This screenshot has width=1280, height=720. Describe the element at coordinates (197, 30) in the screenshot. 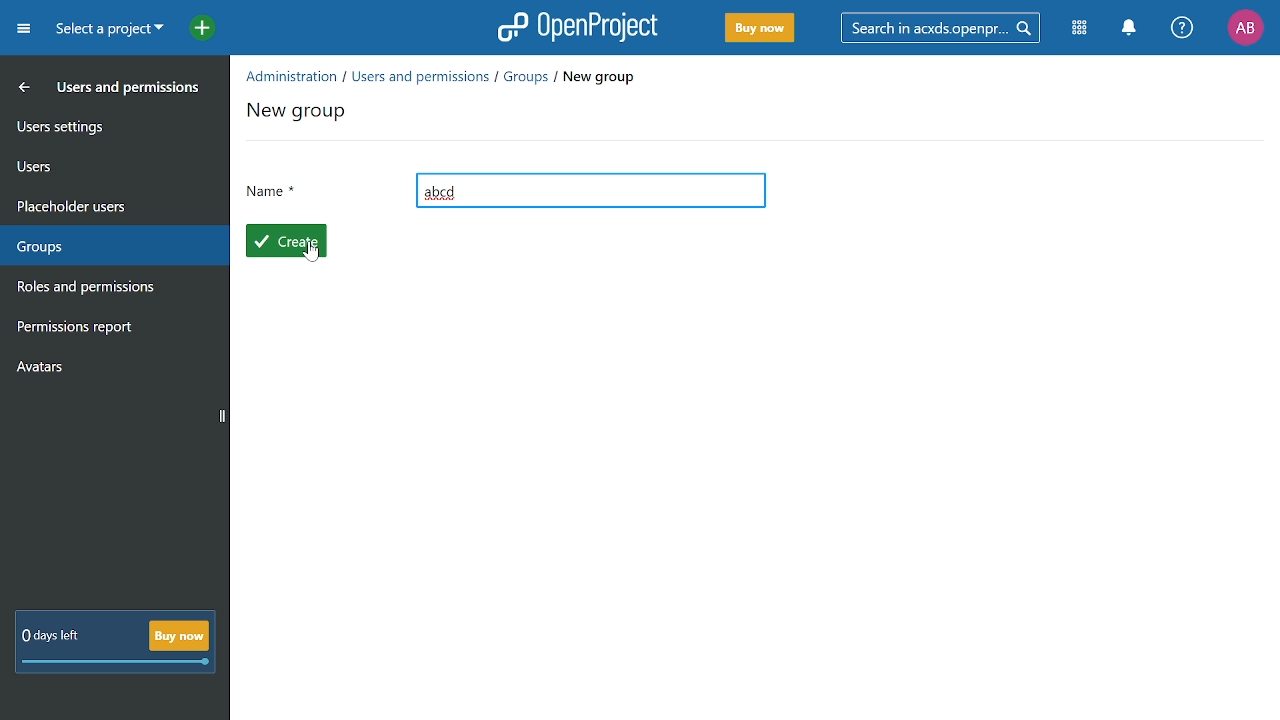

I see `add project` at that location.